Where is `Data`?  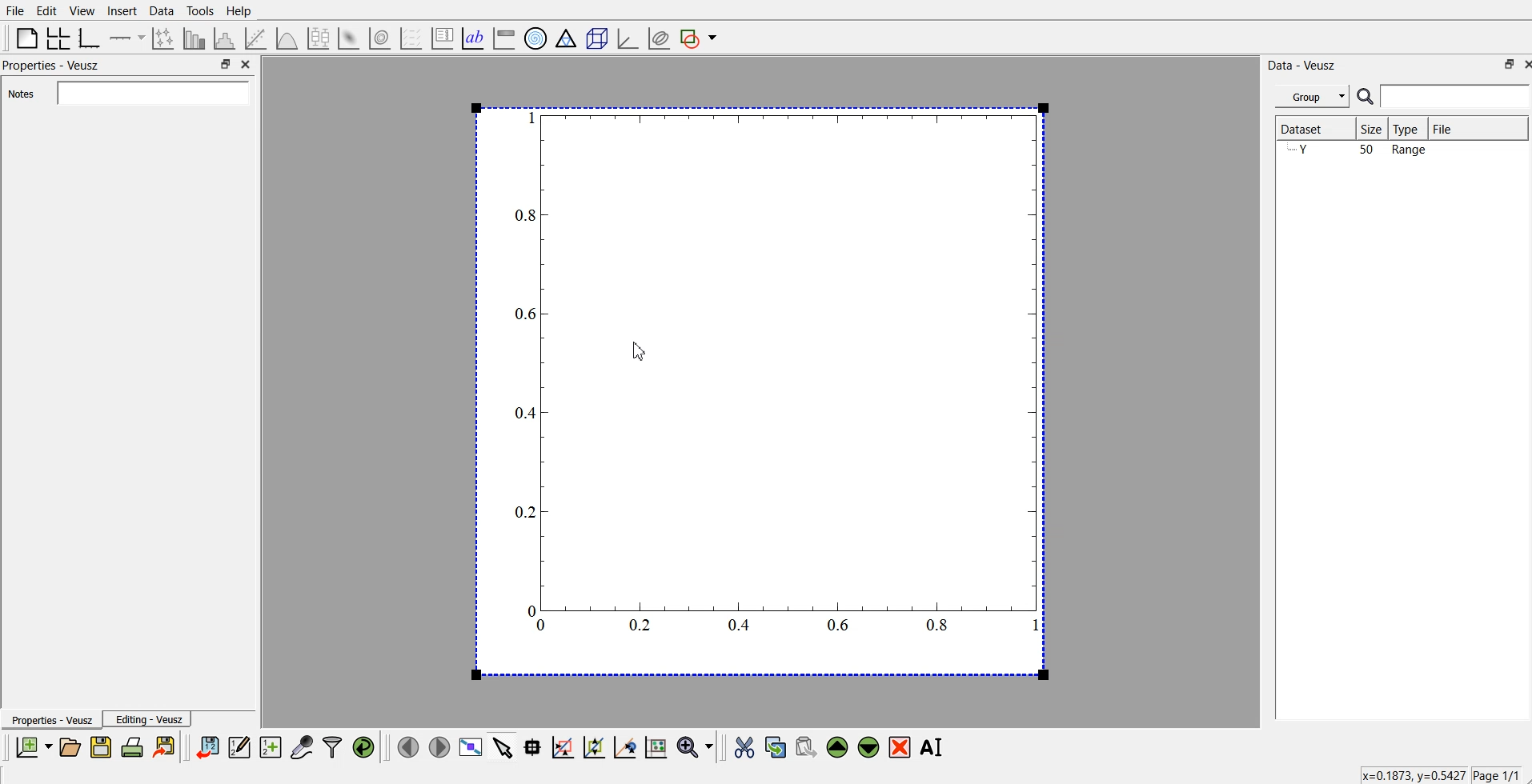 Data is located at coordinates (162, 11).